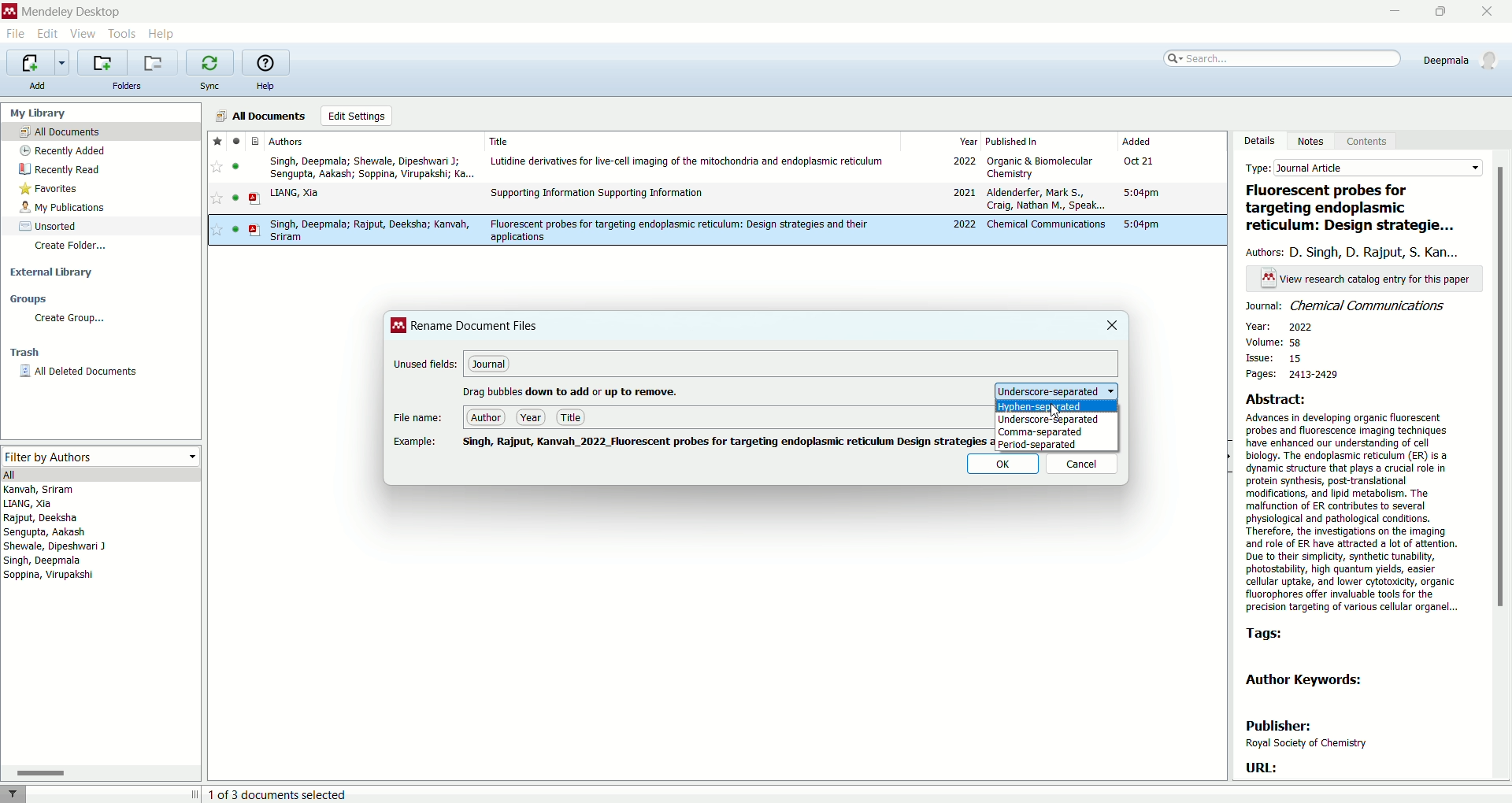 The width and height of the screenshot is (1512, 803). I want to click on text, so click(1367, 278).